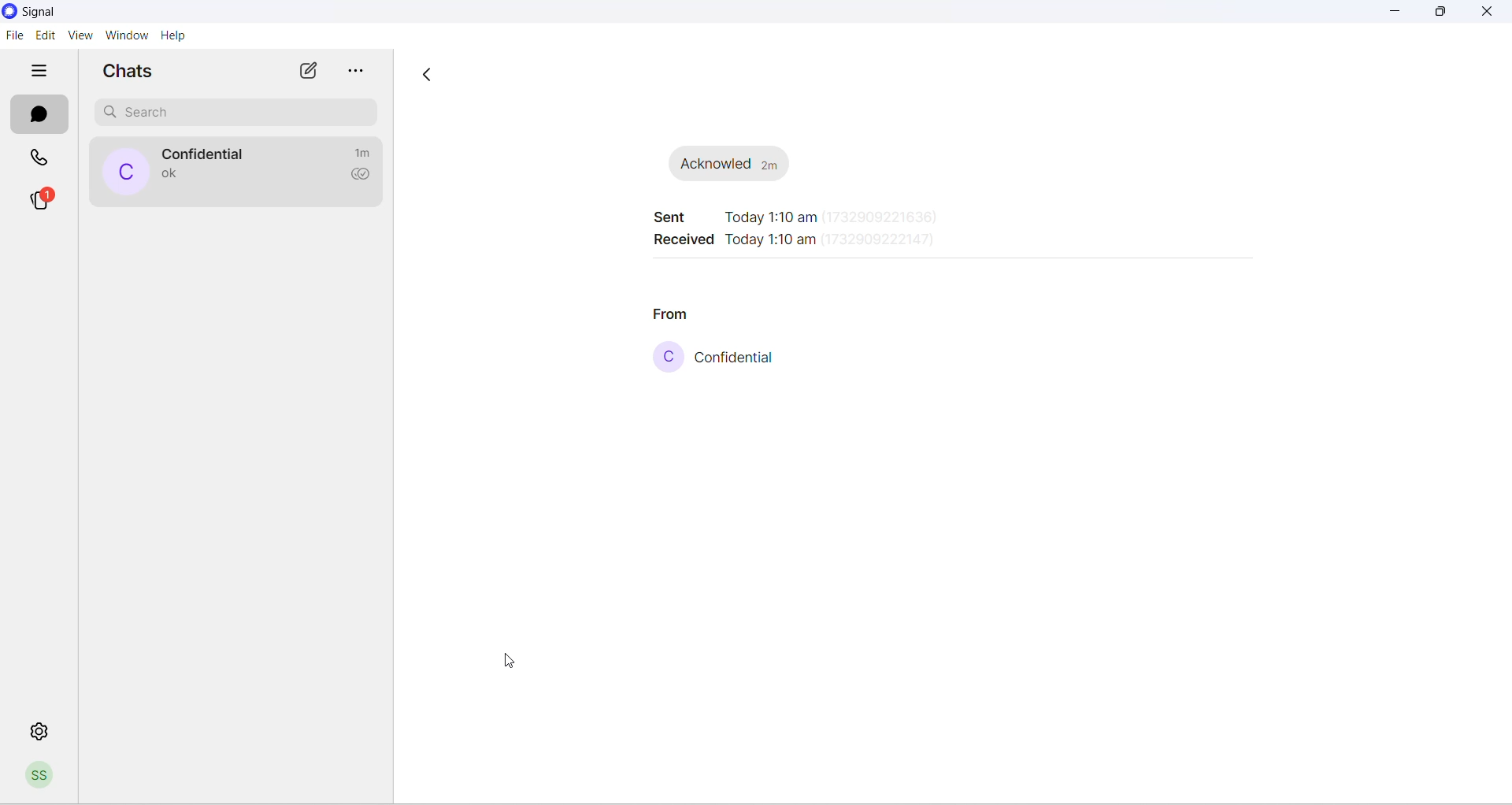  Describe the element at coordinates (358, 72) in the screenshot. I see `more options` at that location.